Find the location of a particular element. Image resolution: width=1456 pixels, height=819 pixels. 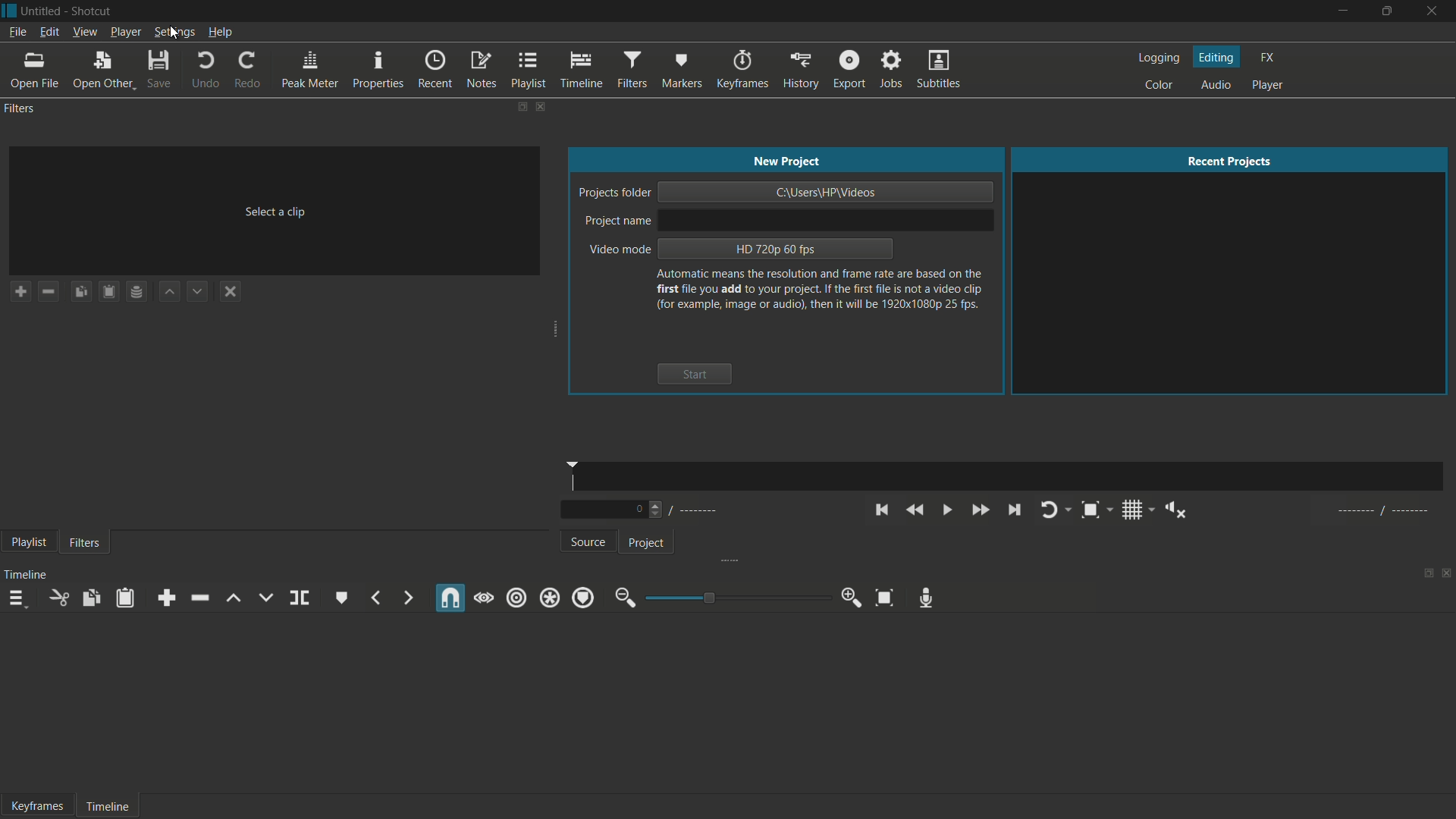

toggle play or pause is located at coordinates (947, 510).